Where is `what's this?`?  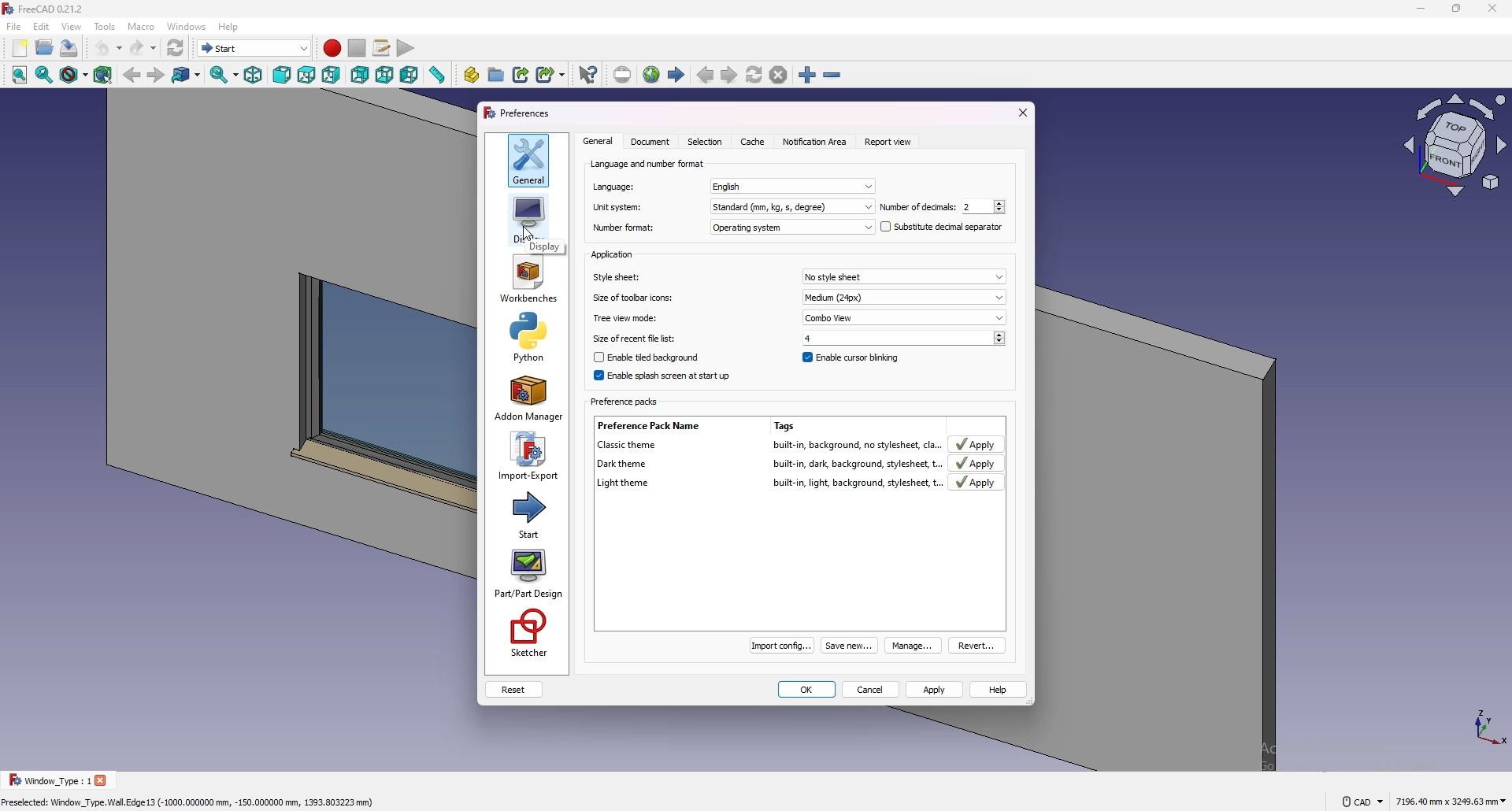 what's this? is located at coordinates (588, 74).